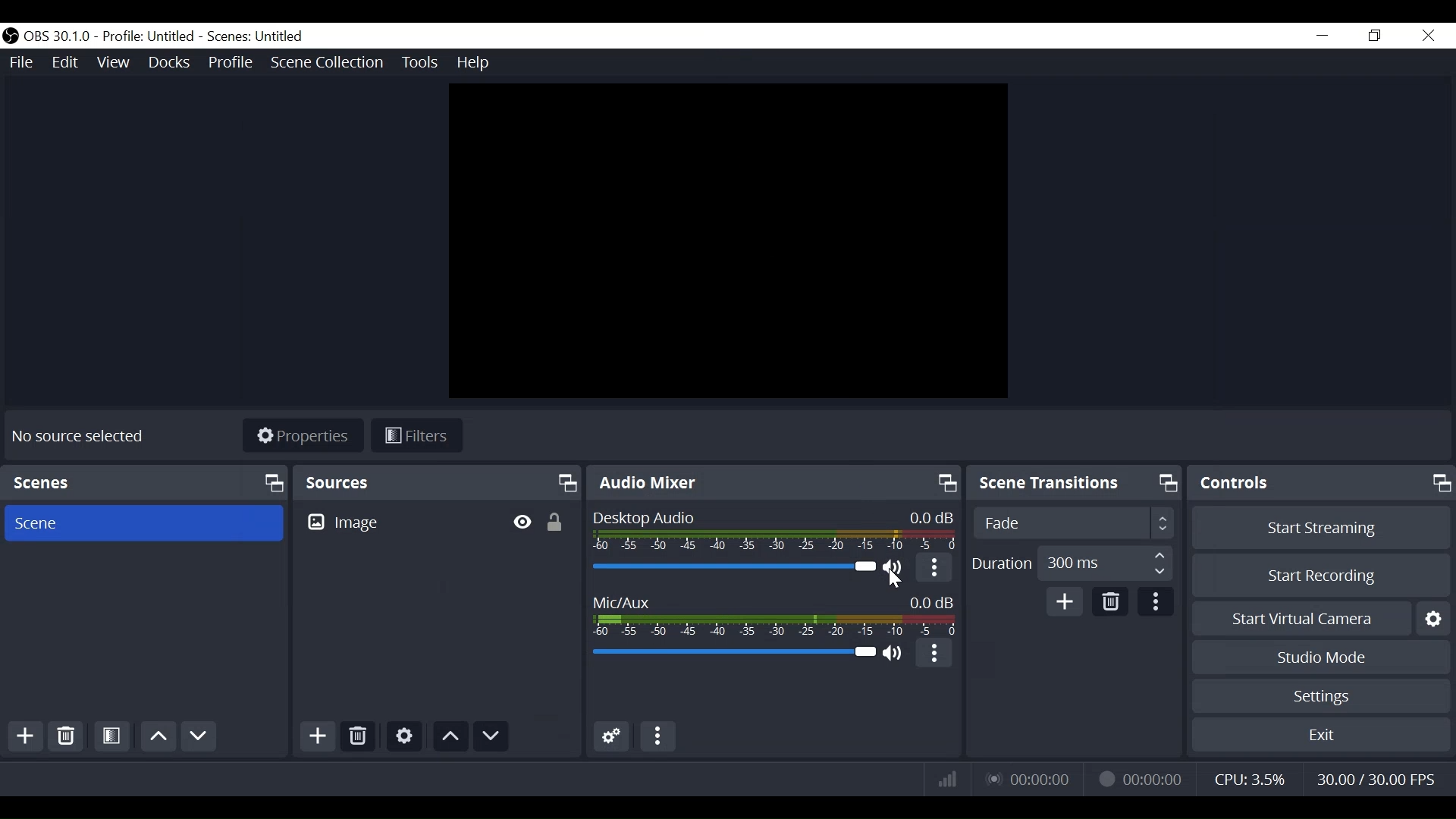  What do you see at coordinates (493, 734) in the screenshot?
I see `Move Down` at bounding box center [493, 734].